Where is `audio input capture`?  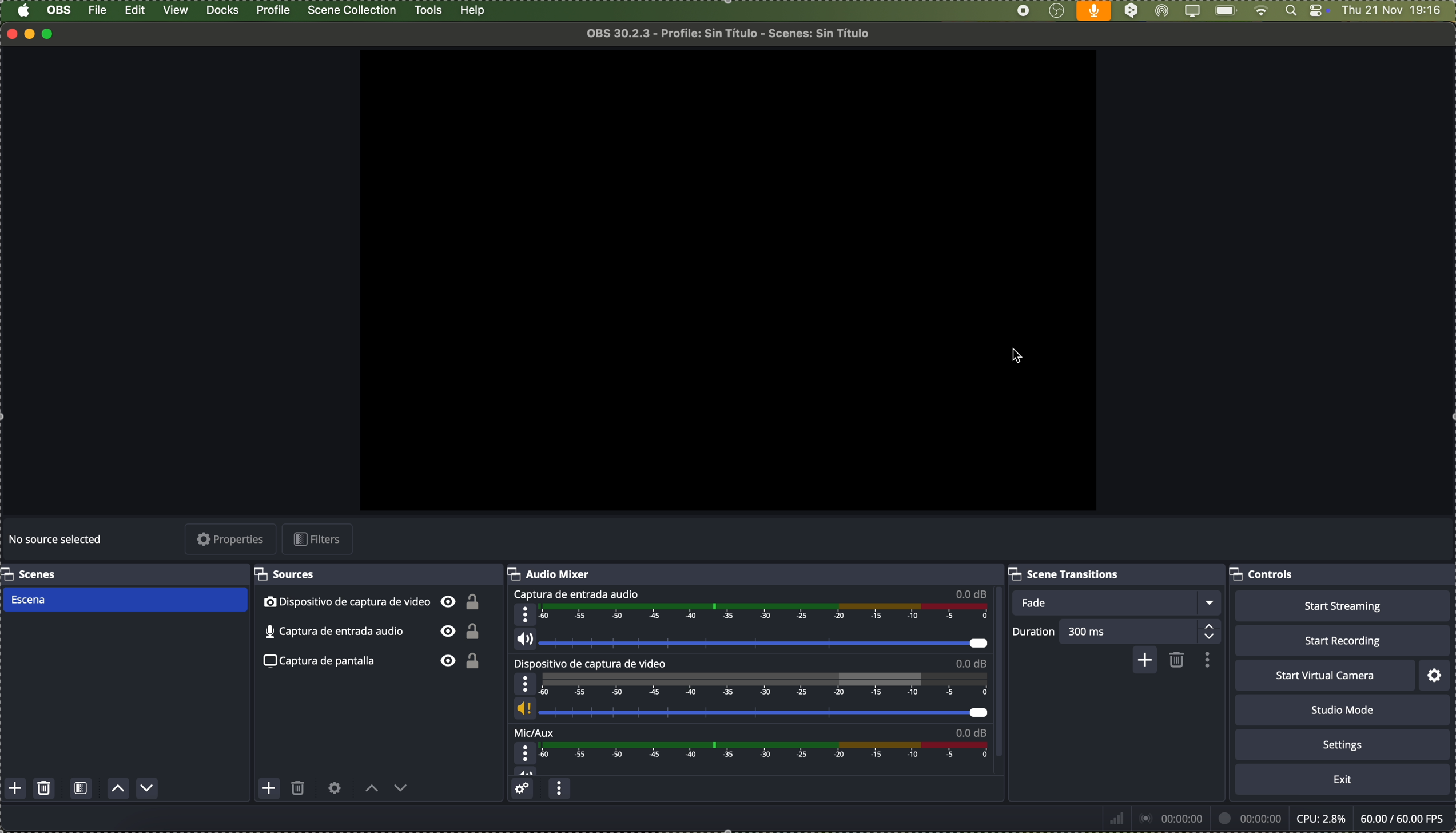
audio input capture is located at coordinates (748, 619).